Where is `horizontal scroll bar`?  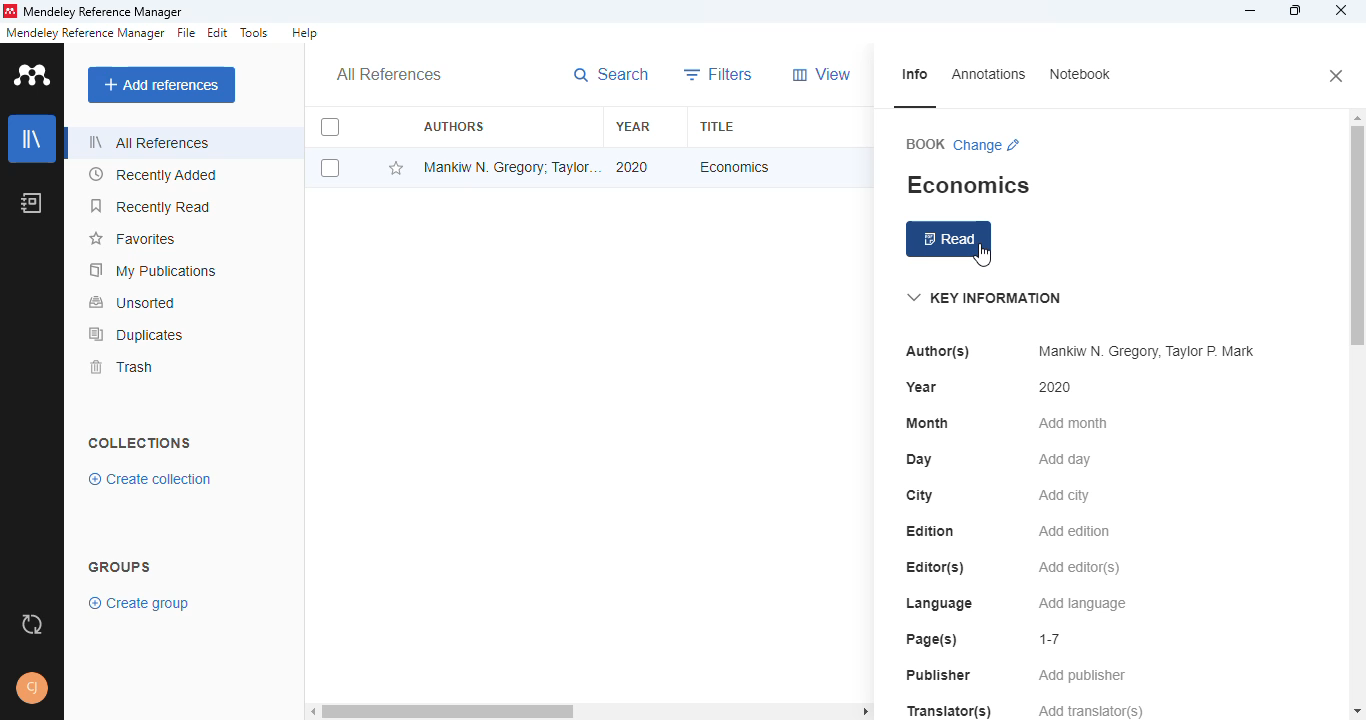
horizontal scroll bar is located at coordinates (451, 712).